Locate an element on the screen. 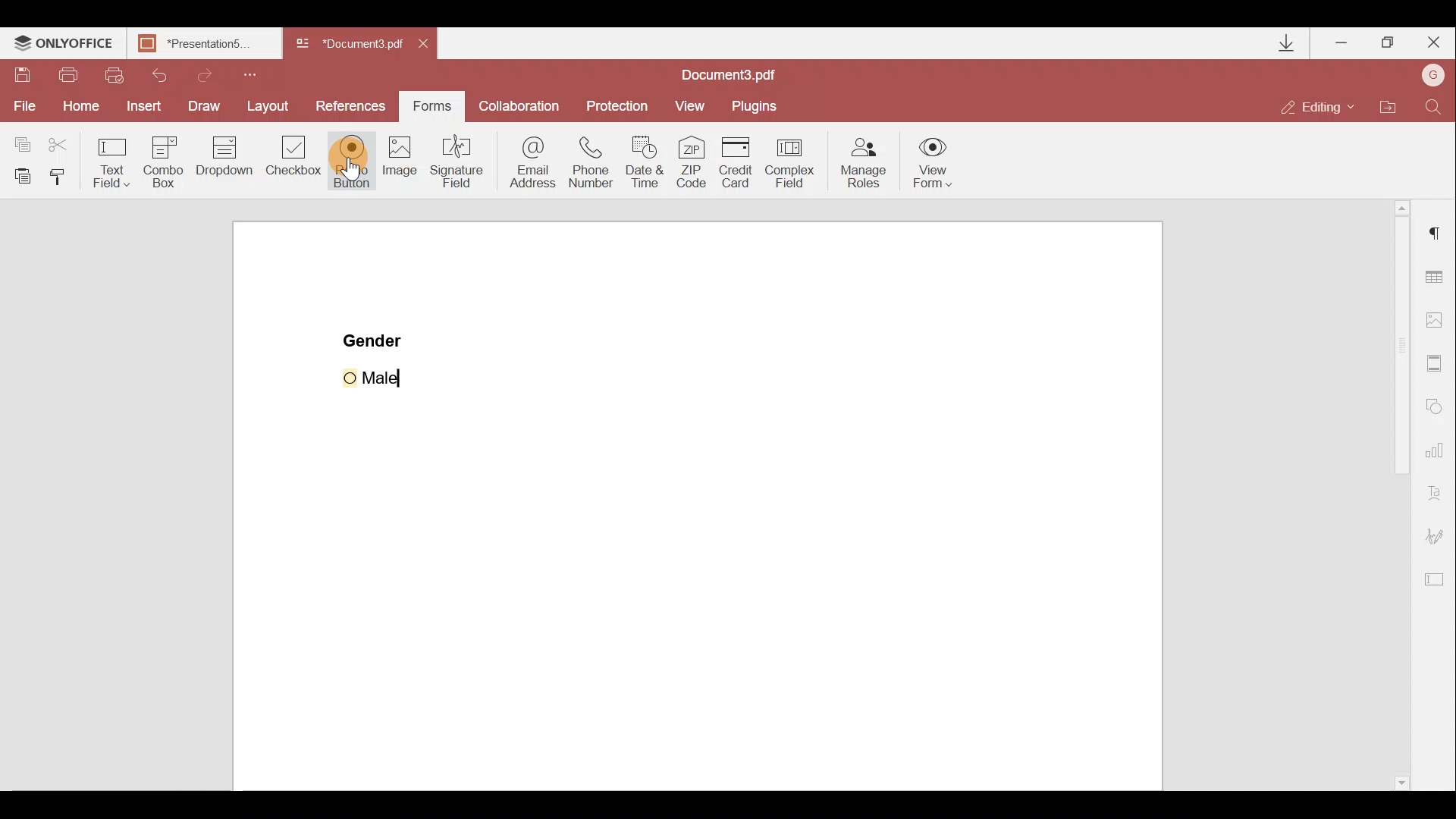 Image resolution: width=1456 pixels, height=819 pixels. Signature field is located at coordinates (461, 168).